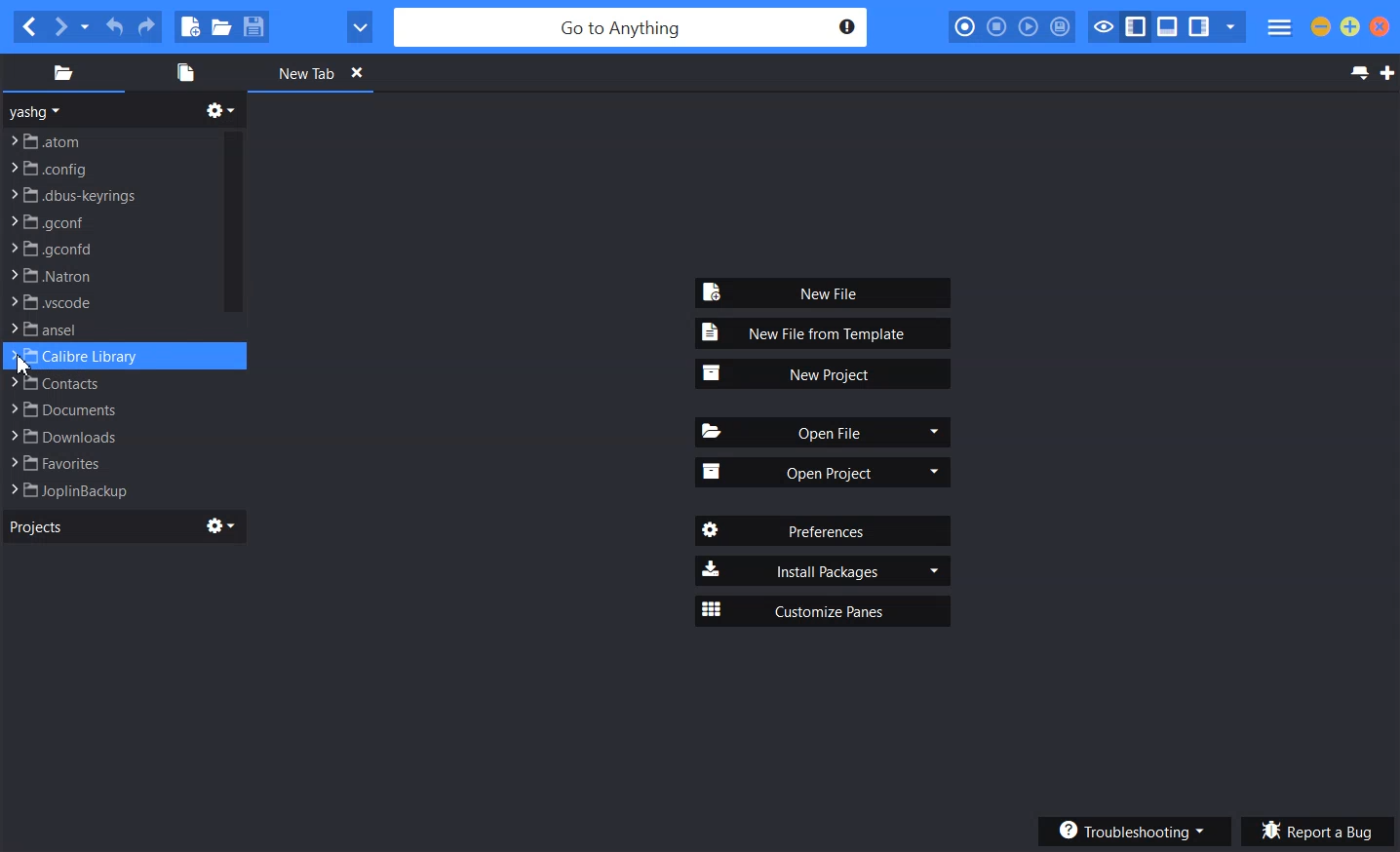 The height and width of the screenshot is (852, 1400). I want to click on View in browser, so click(360, 27).